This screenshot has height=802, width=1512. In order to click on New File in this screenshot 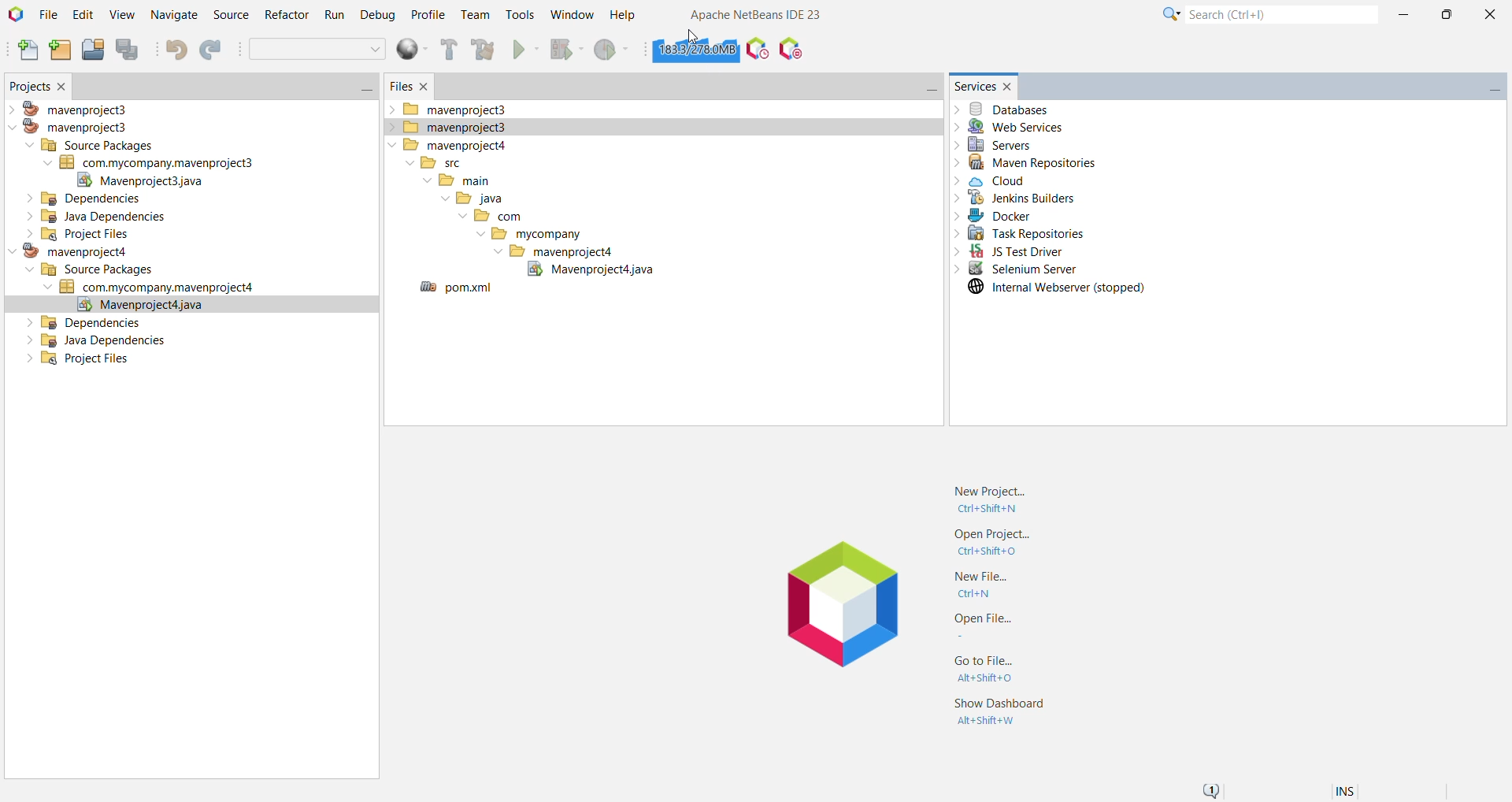, I will do `click(984, 585)`.